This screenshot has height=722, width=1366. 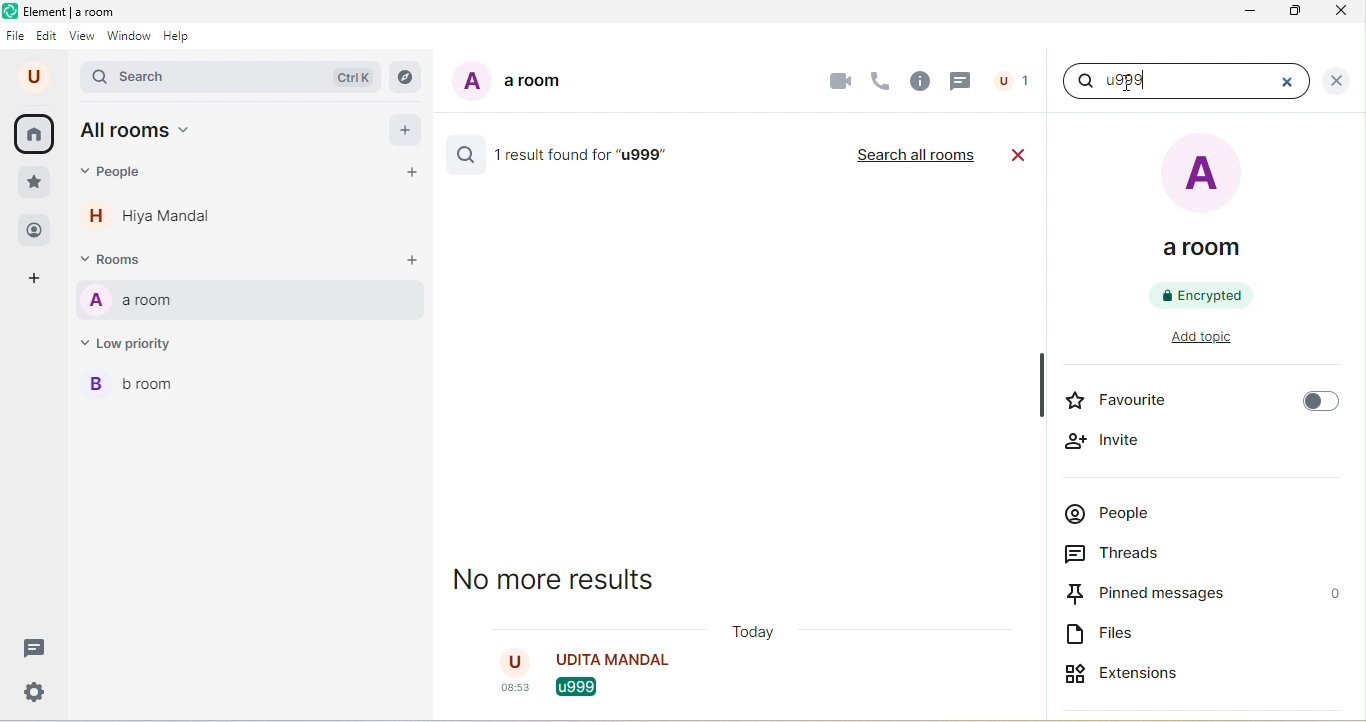 What do you see at coordinates (38, 134) in the screenshot?
I see `home` at bounding box center [38, 134].